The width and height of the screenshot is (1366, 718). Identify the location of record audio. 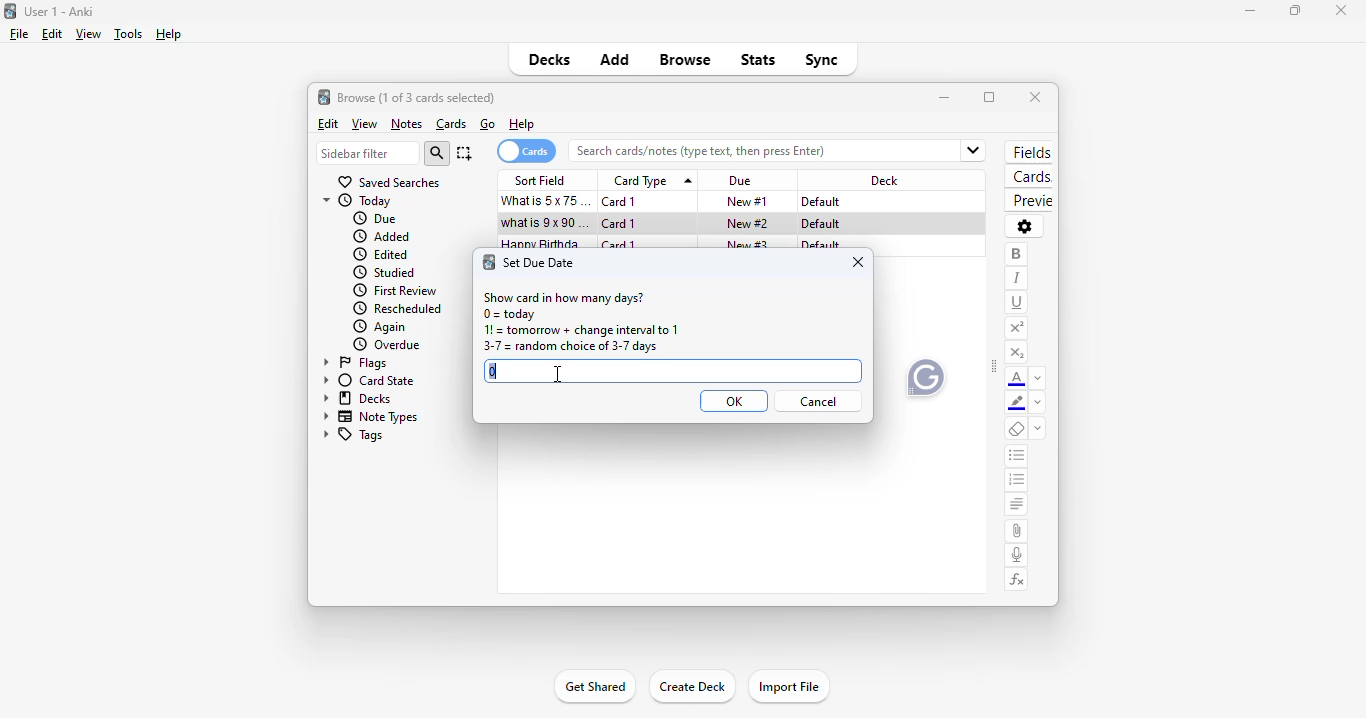
(1017, 555).